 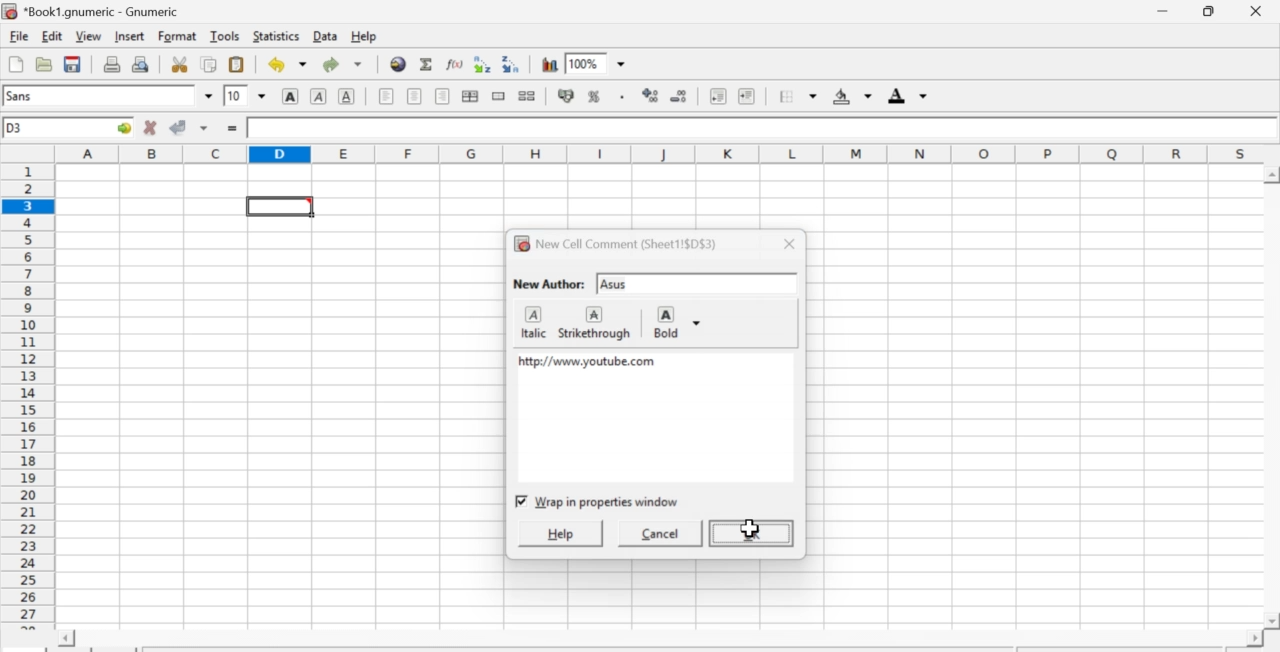 What do you see at coordinates (1272, 175) in the screenshot?
I see `scroll up` at bounding box center [1272, 175].